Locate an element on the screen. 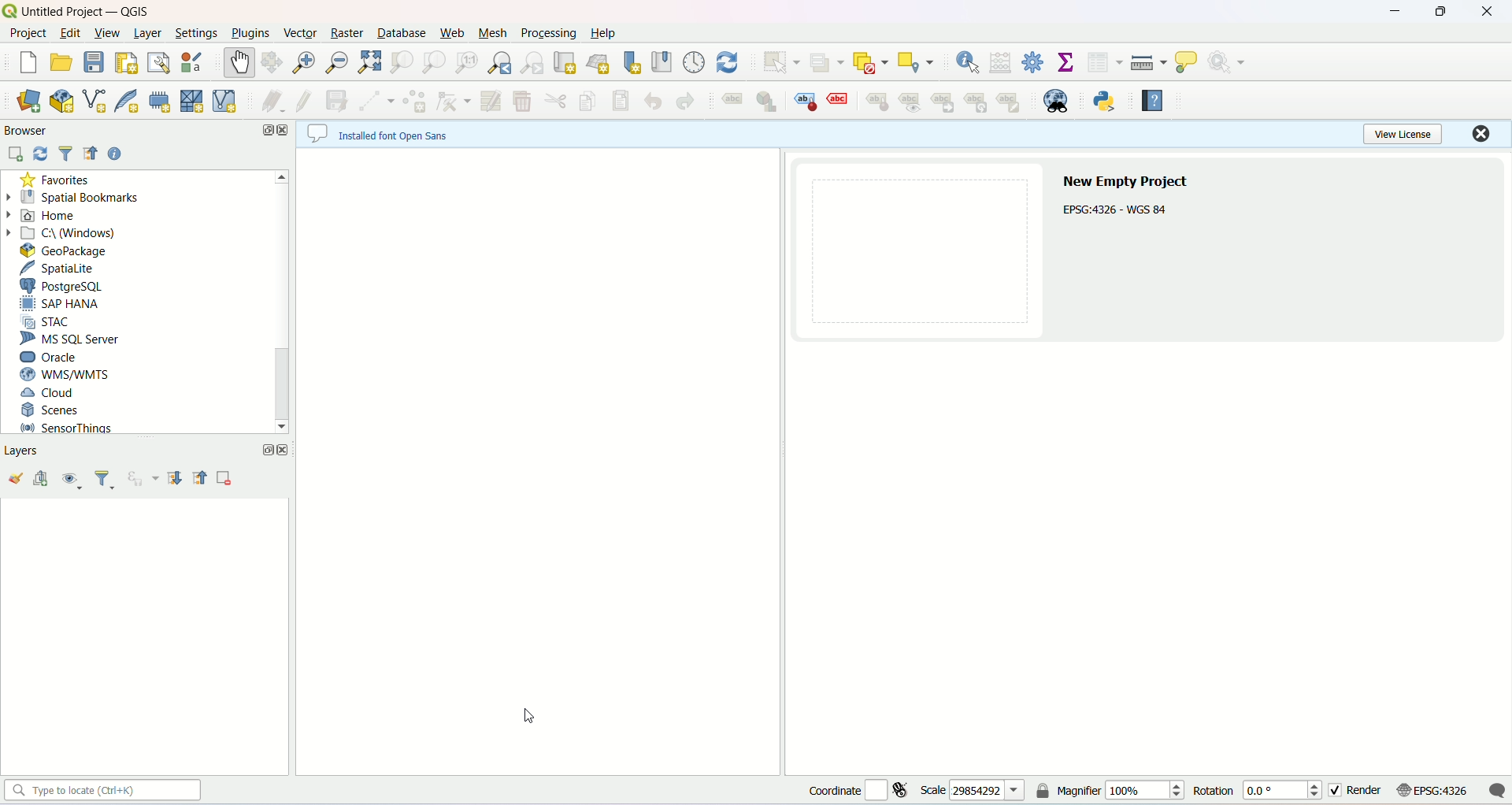 The width and height of the screenshot is (1512, 805). logo is located at coordinates (9, 10).